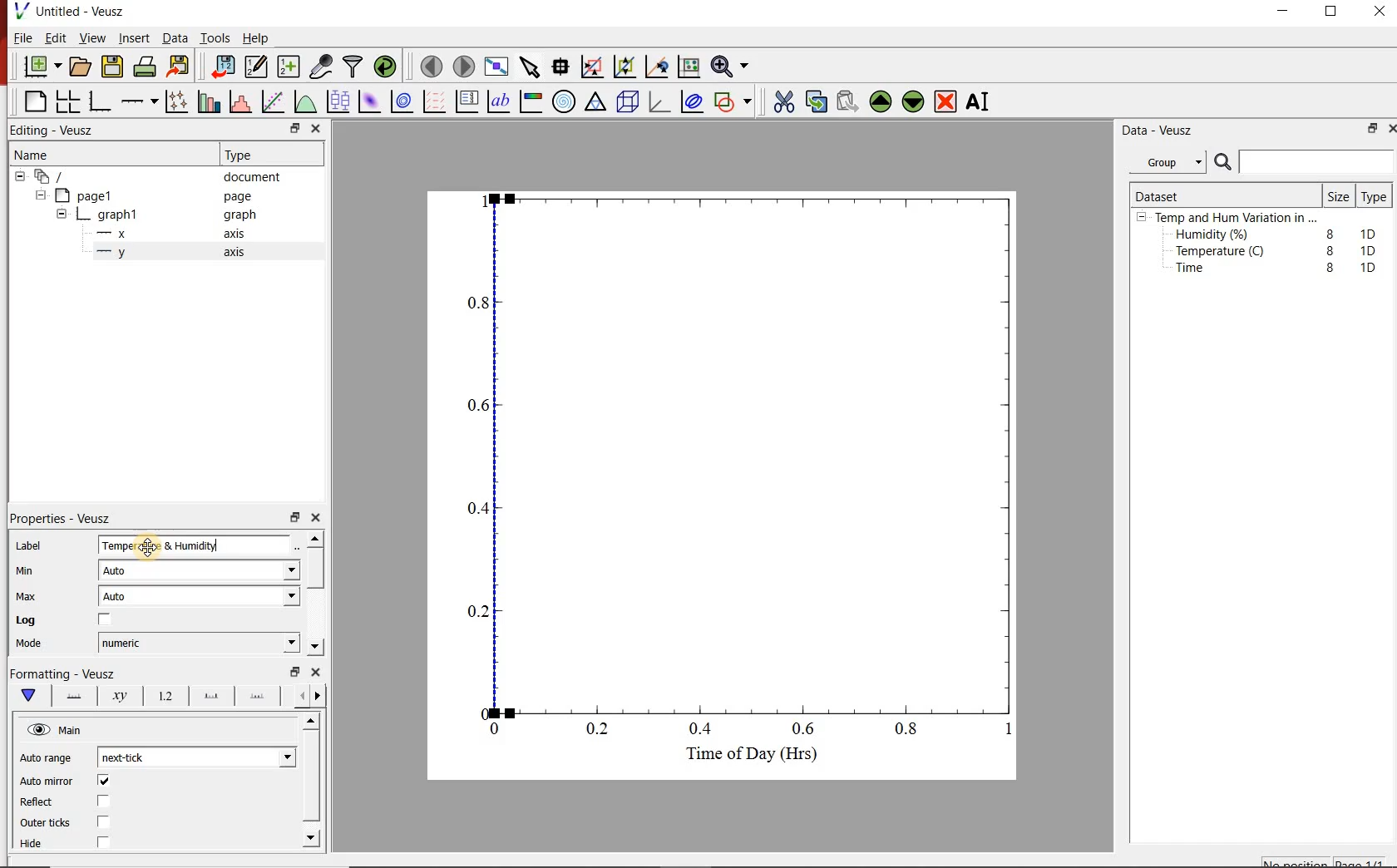  What do you see at coordinates (210, 695) in the screenshot?
I see `major ticks` at bounding box center [210, 695].